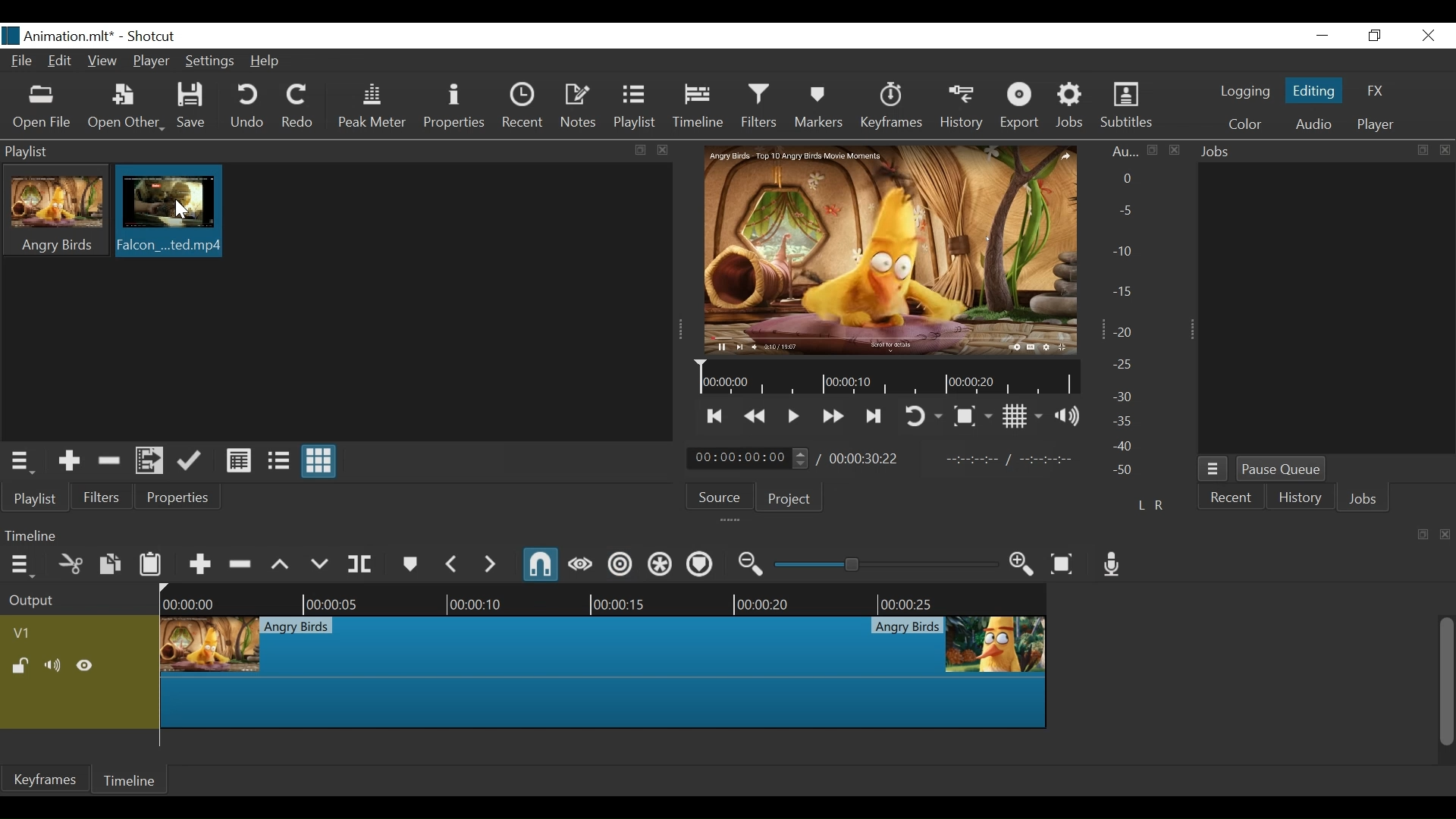 The height and width of the screenshot is (819, 1456). What do you see at coordinates (635, 108) in the screenshot?
I see `Playlist` at bounding box center [635, 108].